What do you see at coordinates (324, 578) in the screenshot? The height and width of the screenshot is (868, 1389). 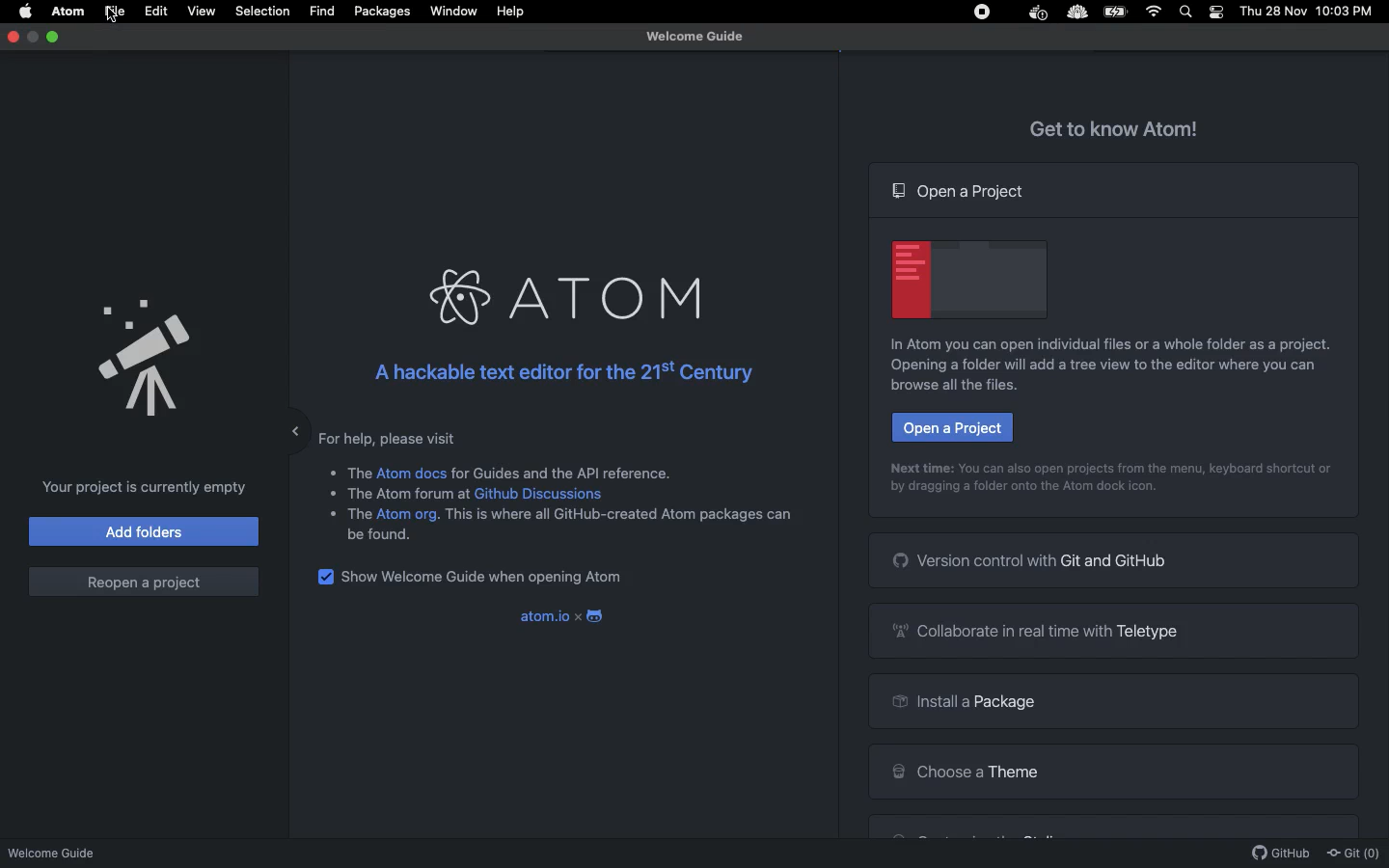 I see `checkbox` at bounding box center [324, 578].